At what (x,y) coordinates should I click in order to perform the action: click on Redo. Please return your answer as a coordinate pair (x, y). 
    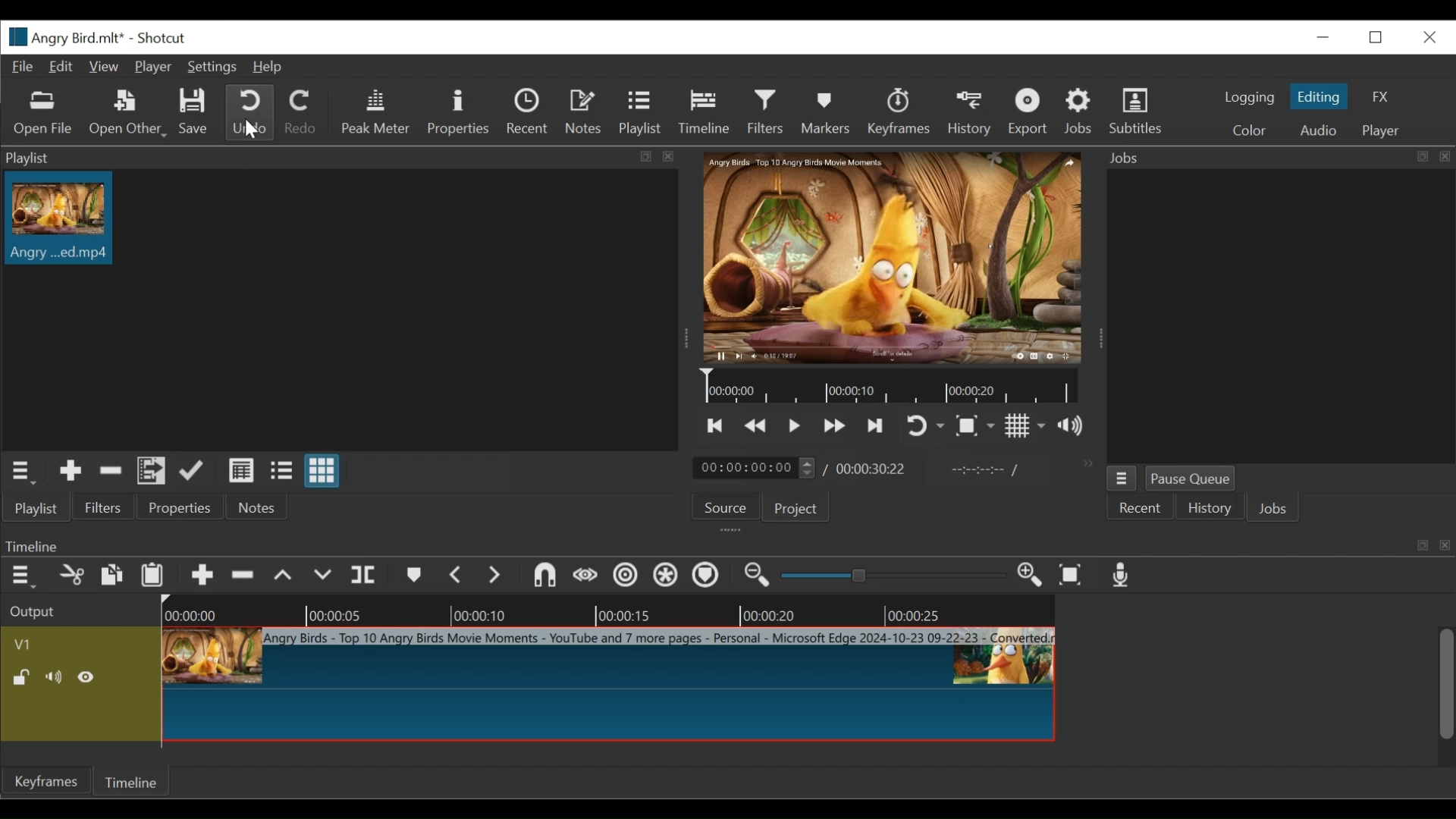
    Looking at the image, I should click on (302, 111).